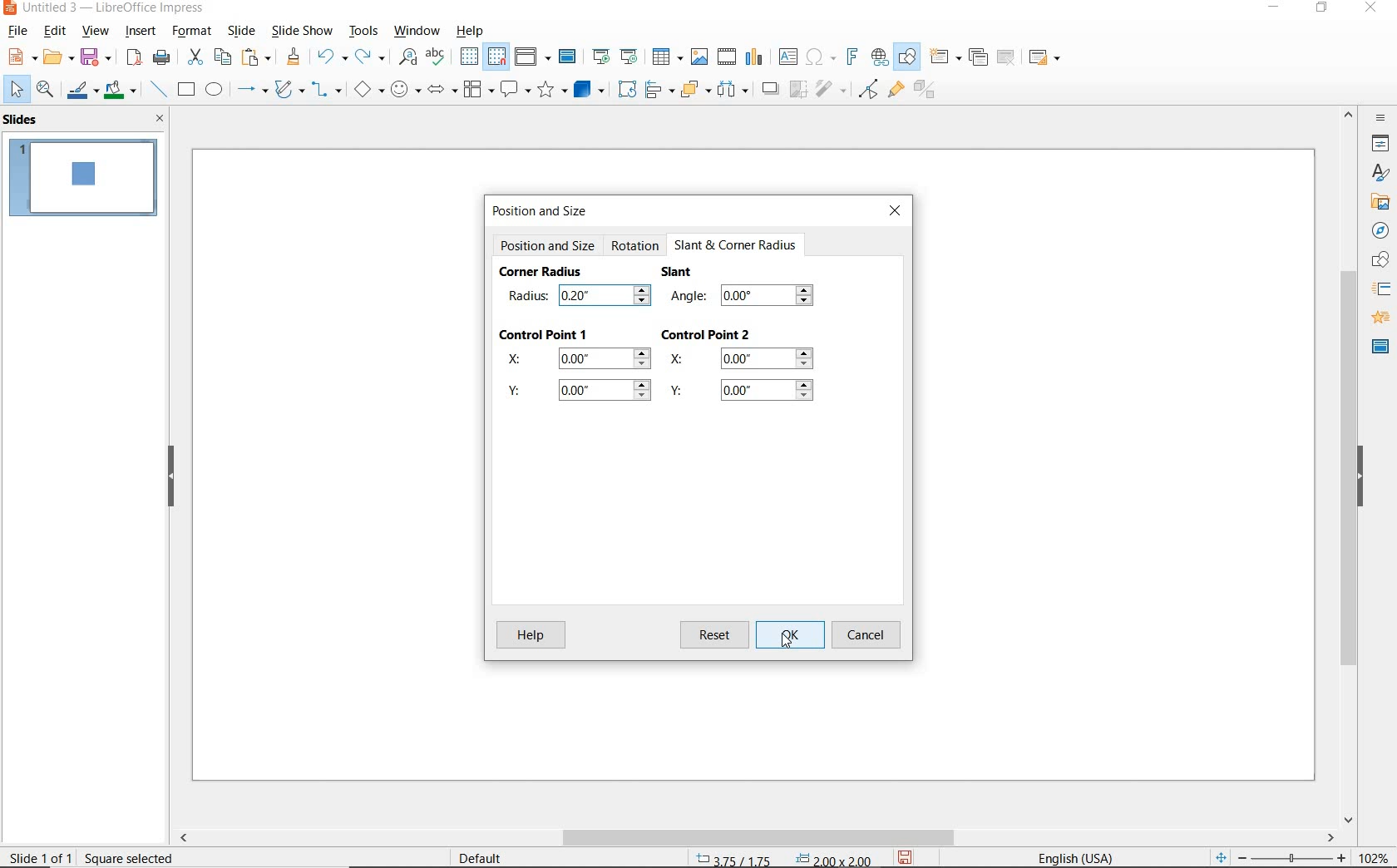 This screenshot has height=868, width=1397. Describe the element at coordinates (135, 58) in the screenshot. I see `export directly as pdf` at that location.